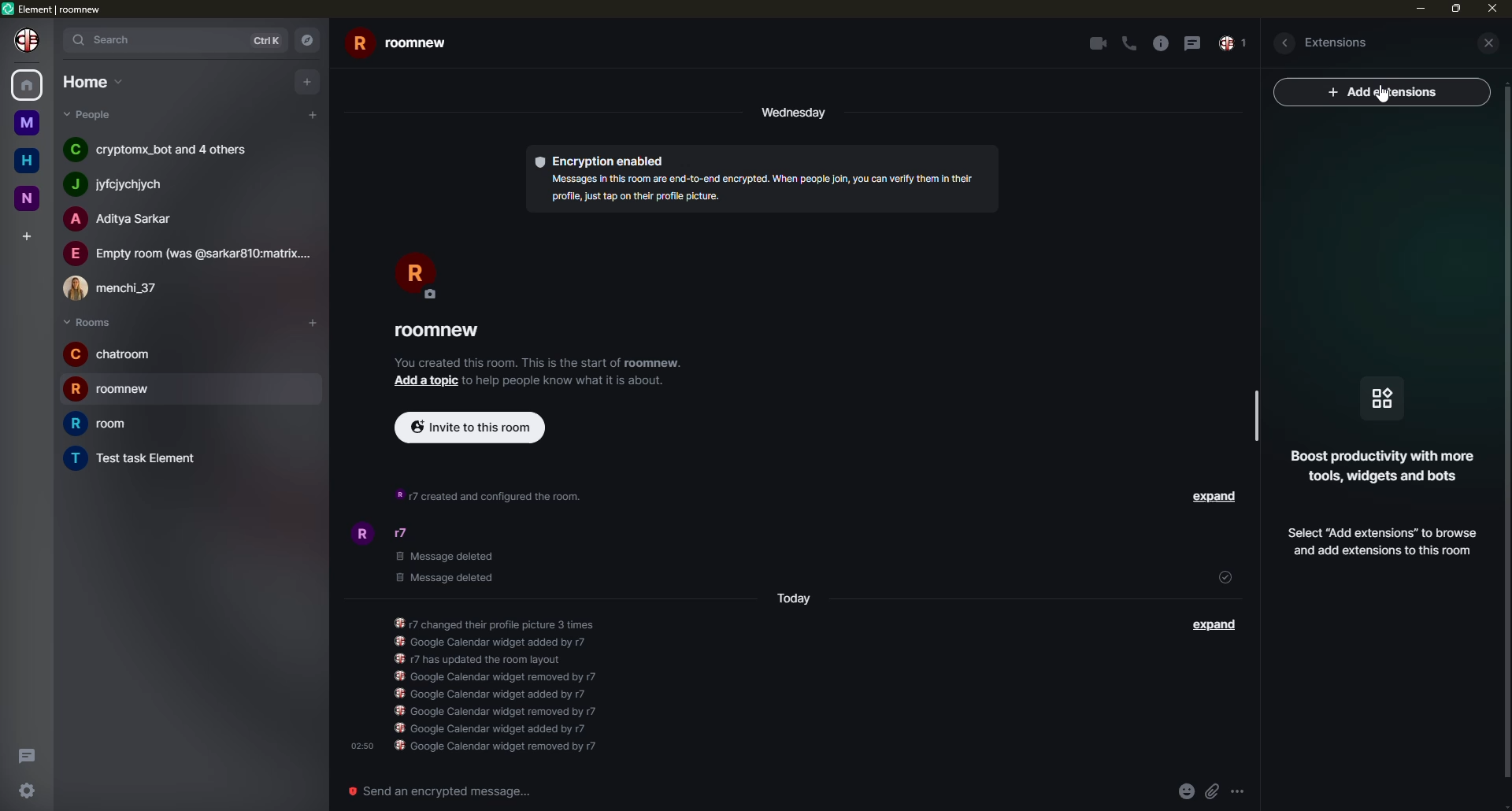  What do you see at coordinates (118, 287) in the screenshot?
I see `people` at bounding box center [118, 287].